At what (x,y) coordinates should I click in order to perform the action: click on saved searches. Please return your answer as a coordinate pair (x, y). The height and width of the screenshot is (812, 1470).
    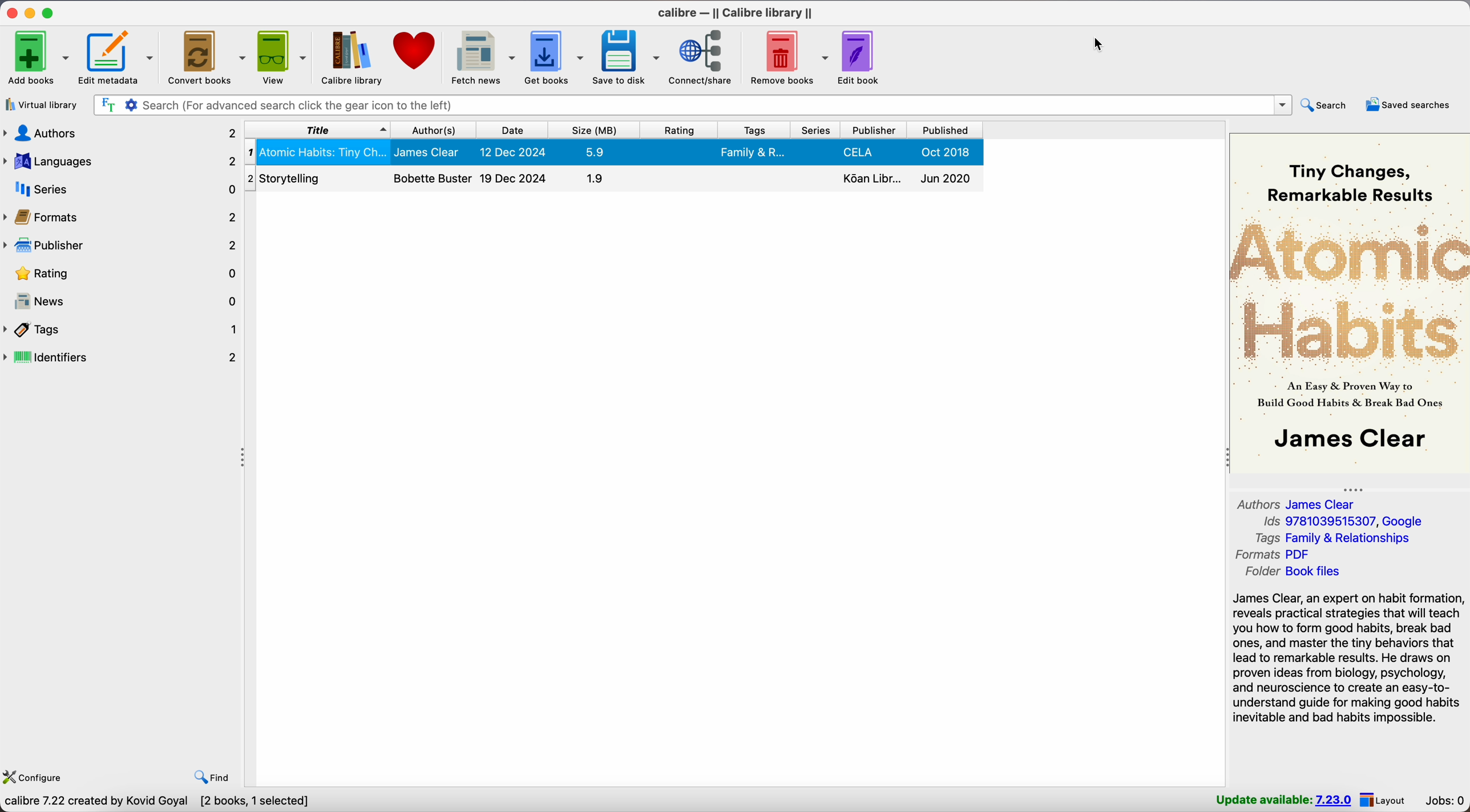
    Looking at the image, I should click on (1410, 105).